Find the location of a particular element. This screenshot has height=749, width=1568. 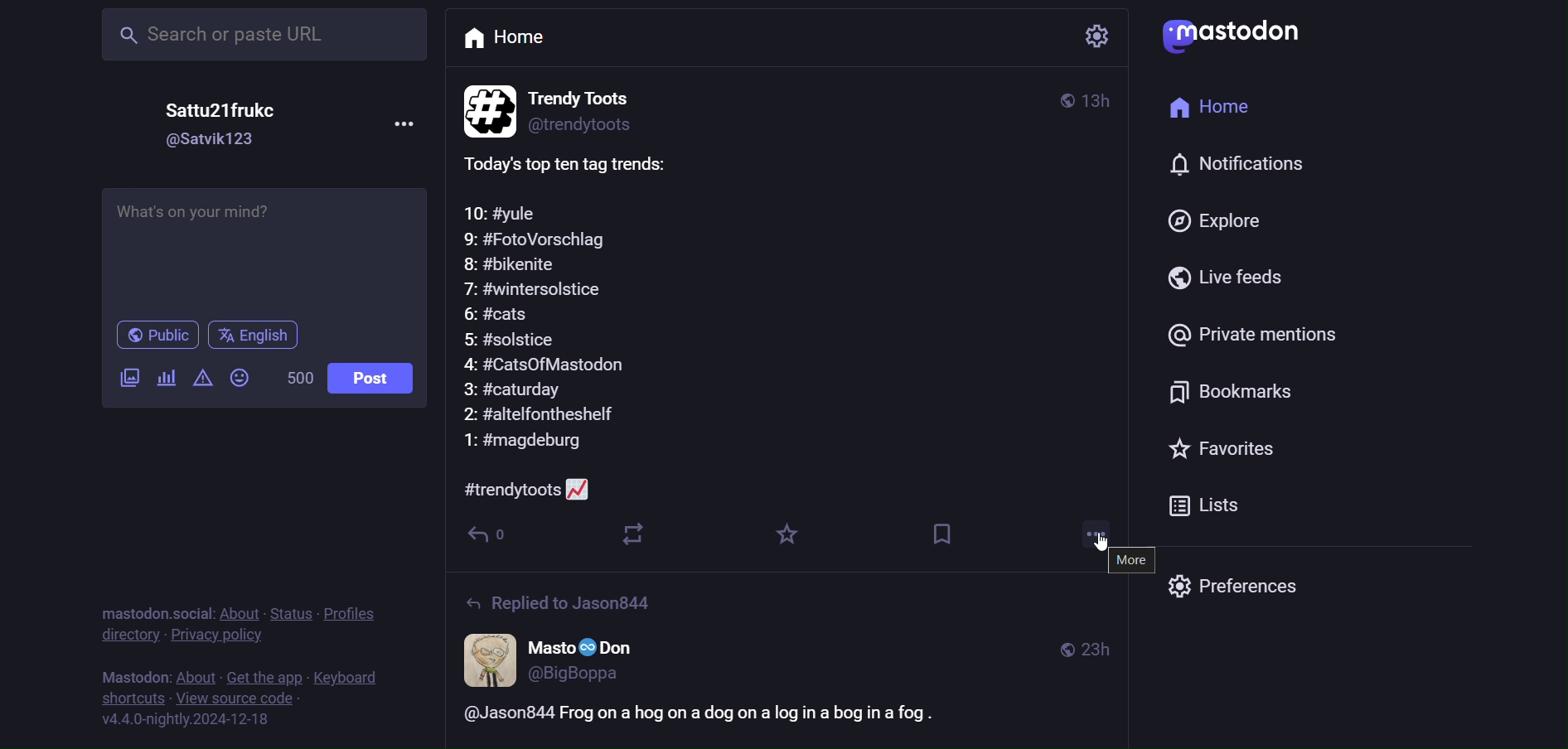

add a poll is located at coordinates (164, 383).